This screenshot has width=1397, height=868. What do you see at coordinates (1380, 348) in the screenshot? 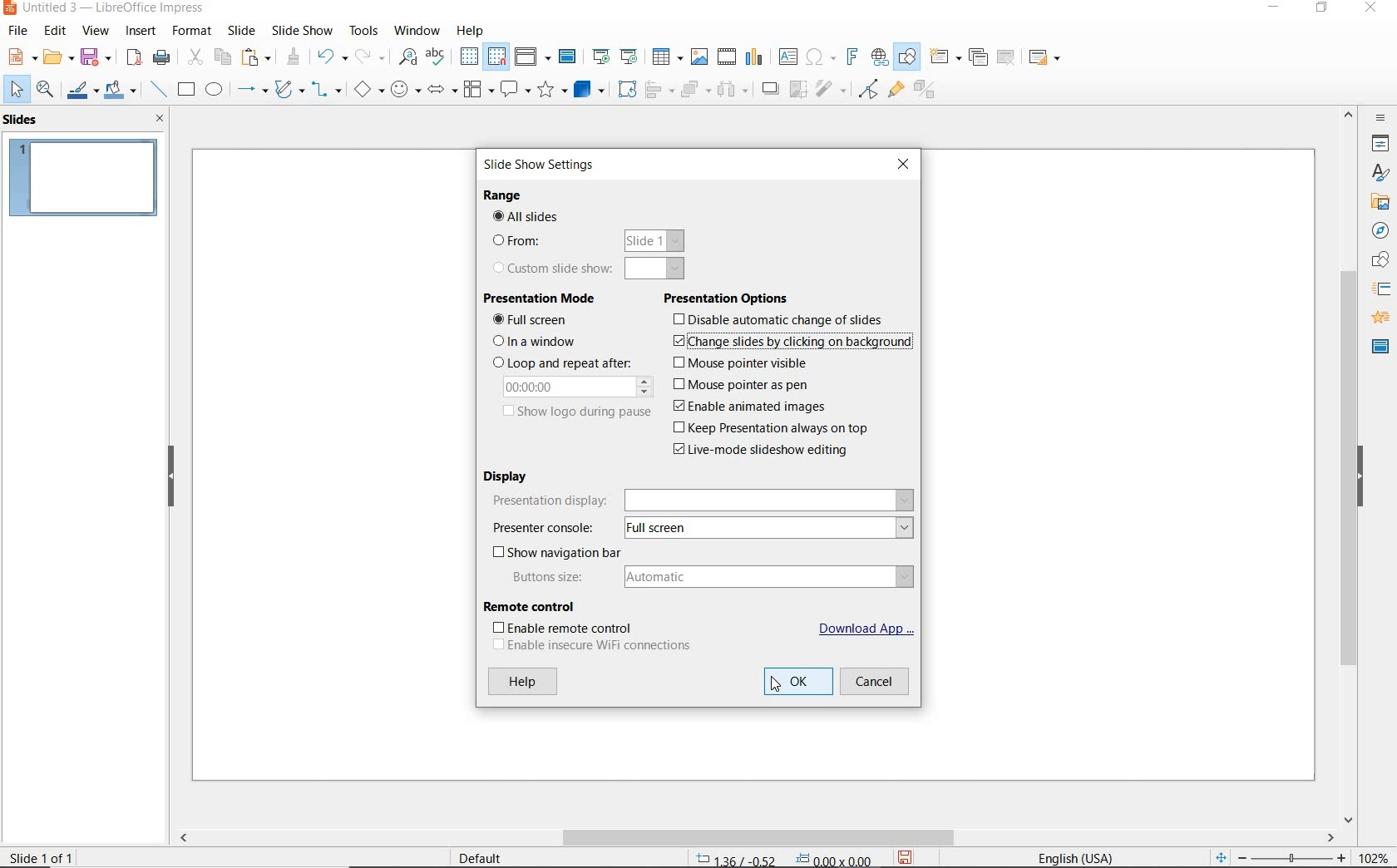
I see `MASTER SLIDES` at bounding box center [1380, 348].